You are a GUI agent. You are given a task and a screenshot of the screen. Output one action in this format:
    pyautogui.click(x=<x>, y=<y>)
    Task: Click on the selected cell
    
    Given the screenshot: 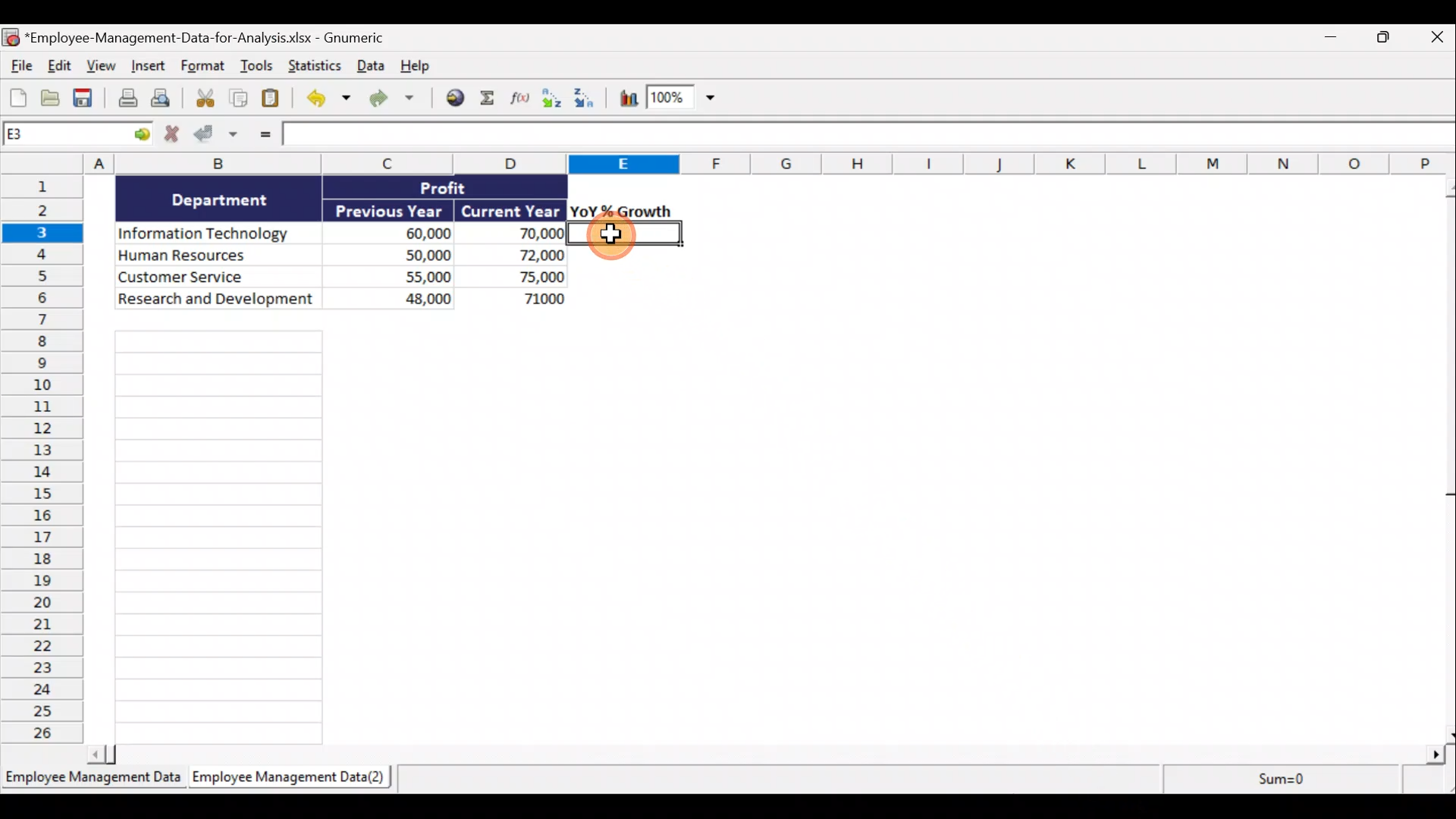 What is the action you would take?
    pyautogui.click(x=625, y=234)
    